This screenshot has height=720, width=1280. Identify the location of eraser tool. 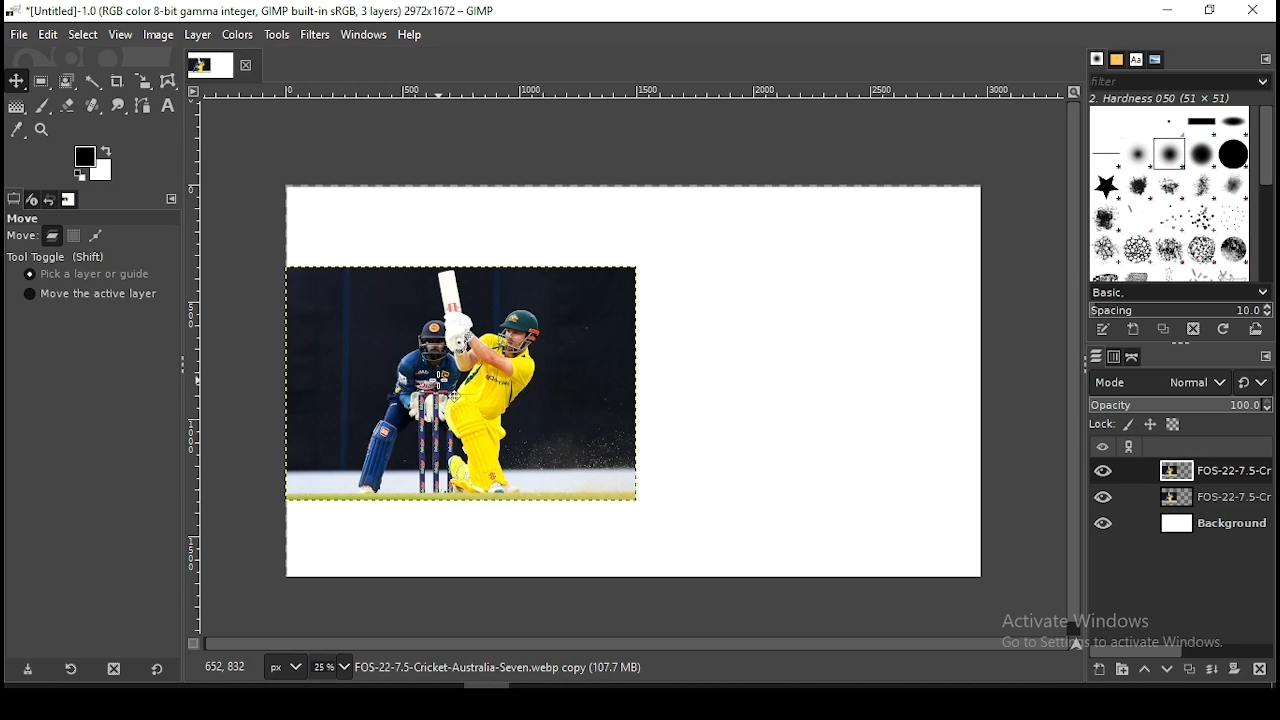
(63, 106).